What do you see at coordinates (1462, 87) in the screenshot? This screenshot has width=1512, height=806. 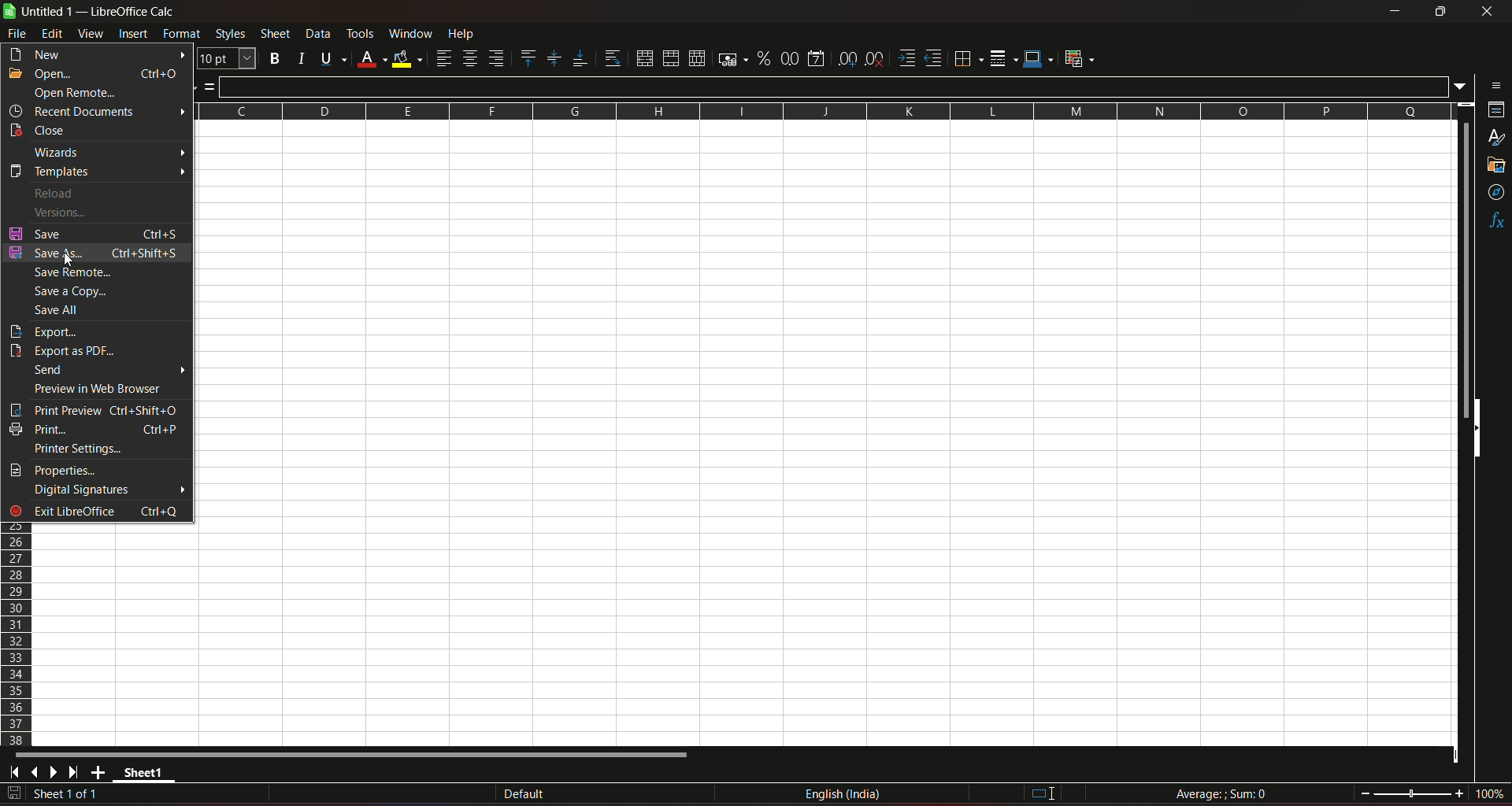 I see `expand formula` at bounding box center [1462, 87].